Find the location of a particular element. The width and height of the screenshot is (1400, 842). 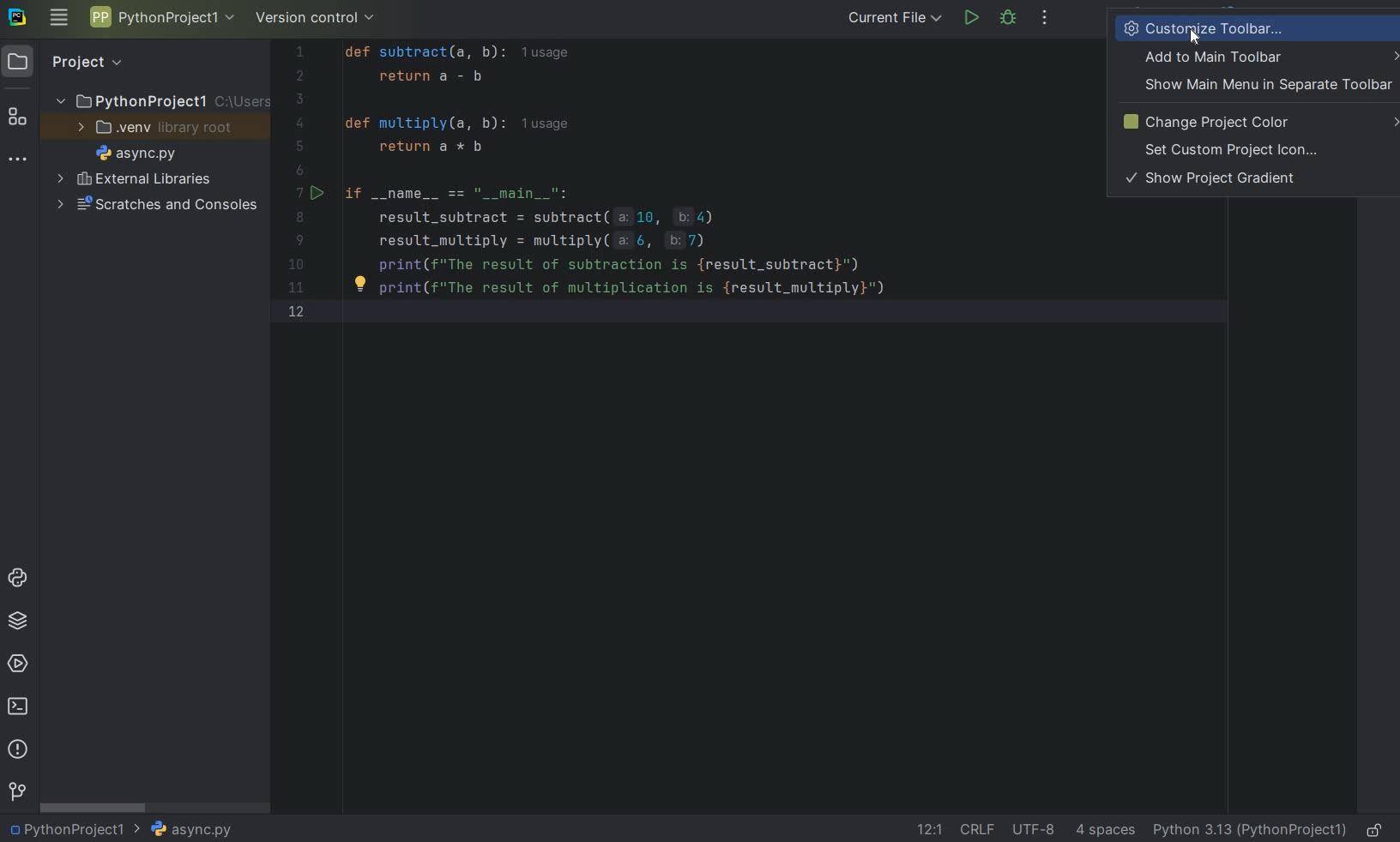

LINE SEPARATOR is located at coordinates (979, 828).